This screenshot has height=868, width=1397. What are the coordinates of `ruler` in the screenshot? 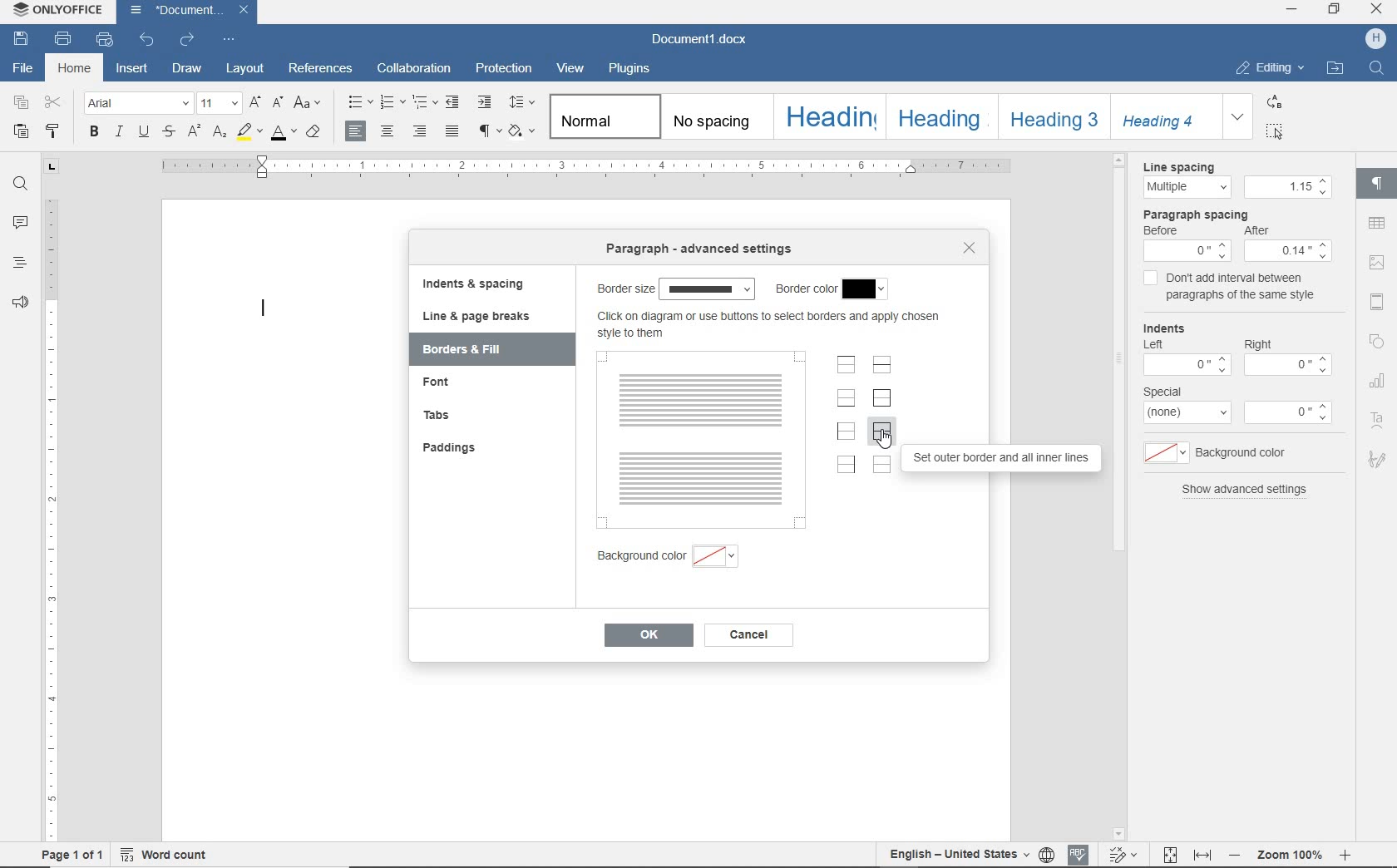 It's located at (579, 169).